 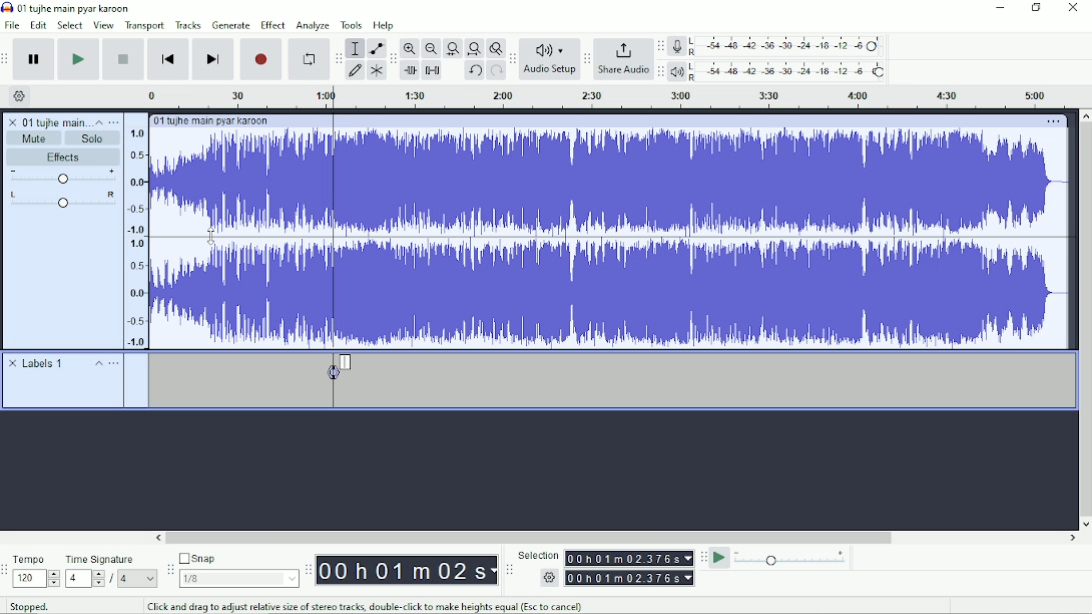 I want to click on Undo, so click(x=474, y=70).